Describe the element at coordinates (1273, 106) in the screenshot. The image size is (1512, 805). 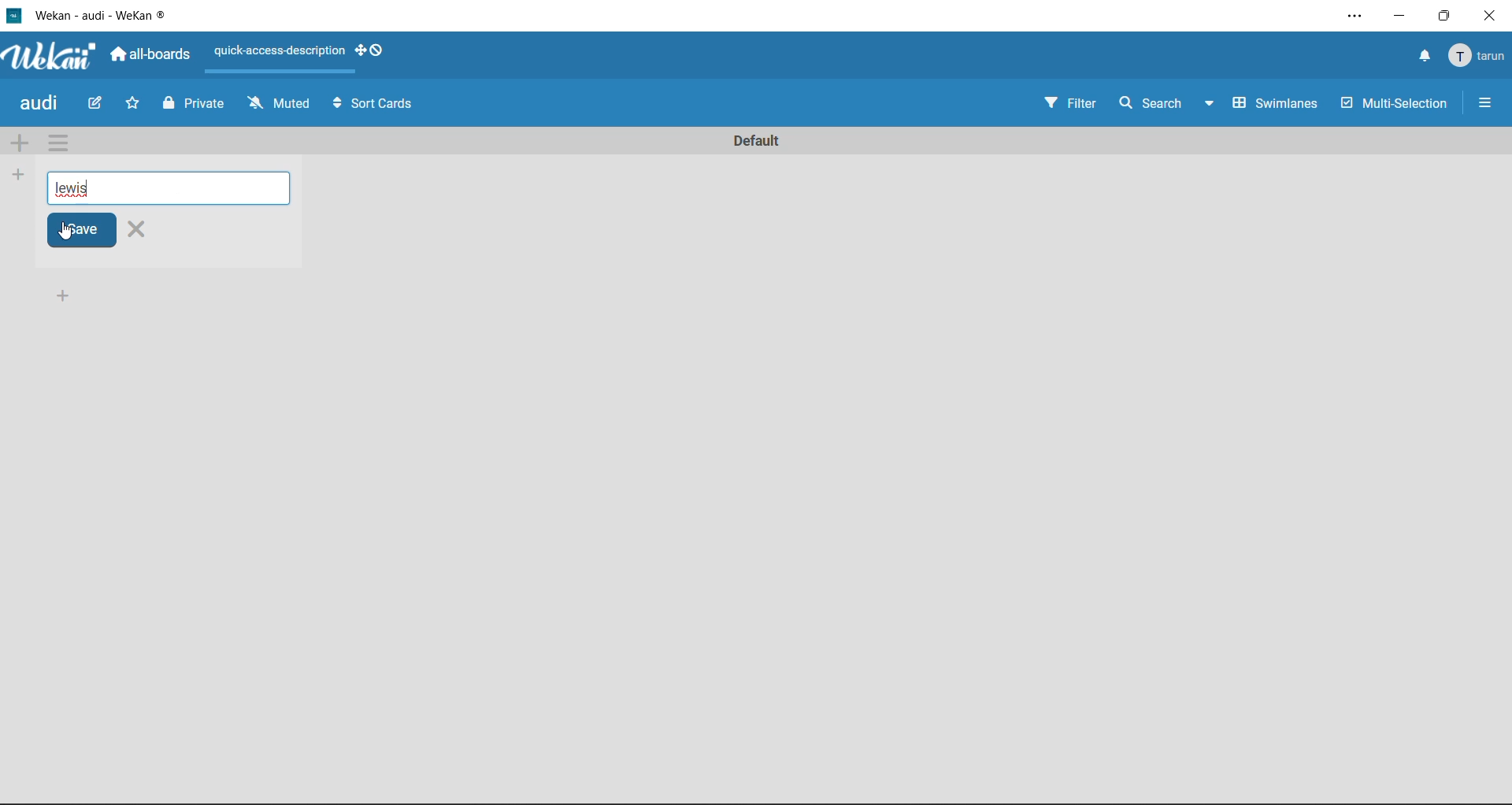
I see `swimlanes` at that location.